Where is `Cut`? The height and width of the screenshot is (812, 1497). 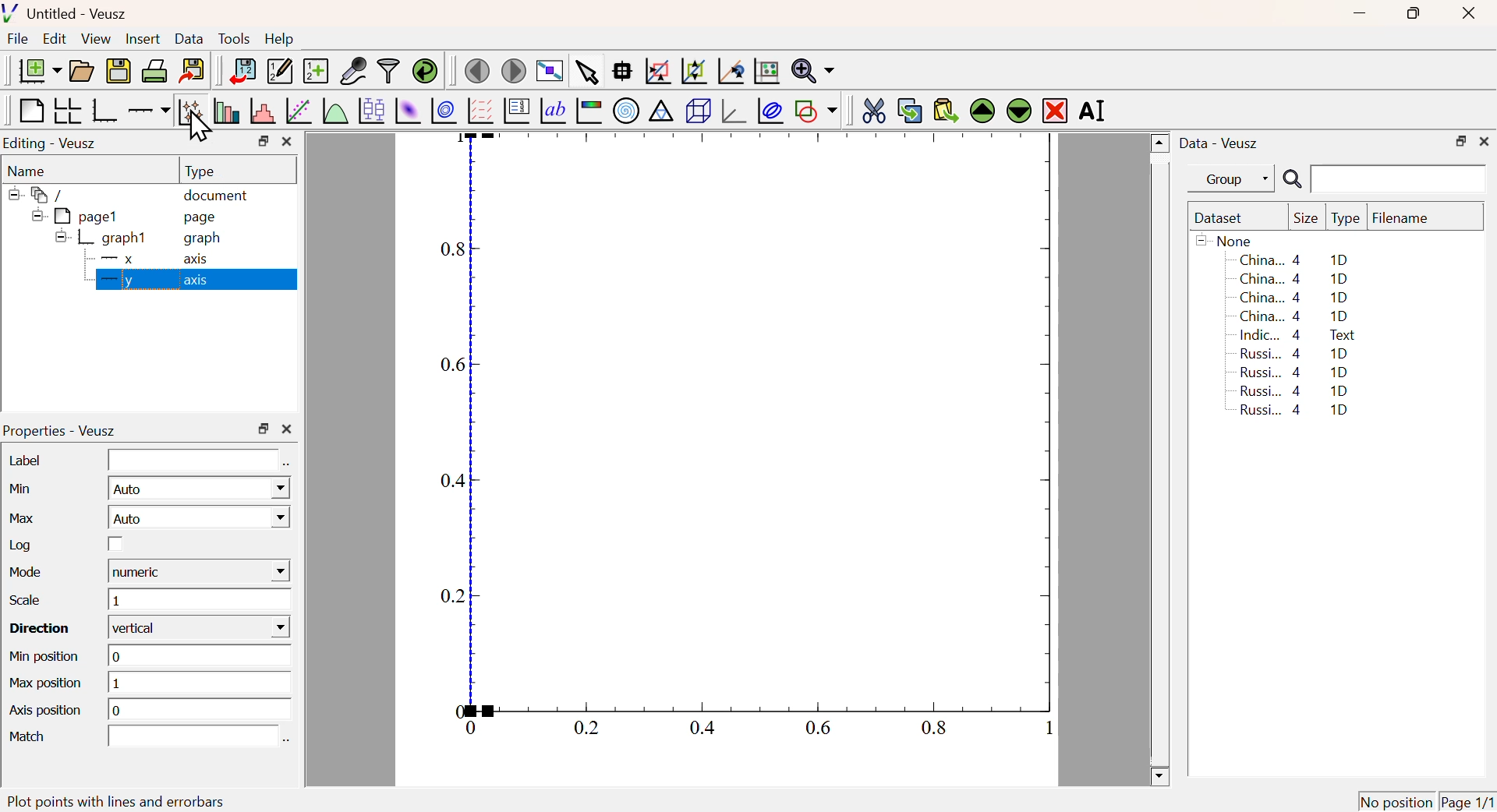 Cut is located at coordinates (873, 109).